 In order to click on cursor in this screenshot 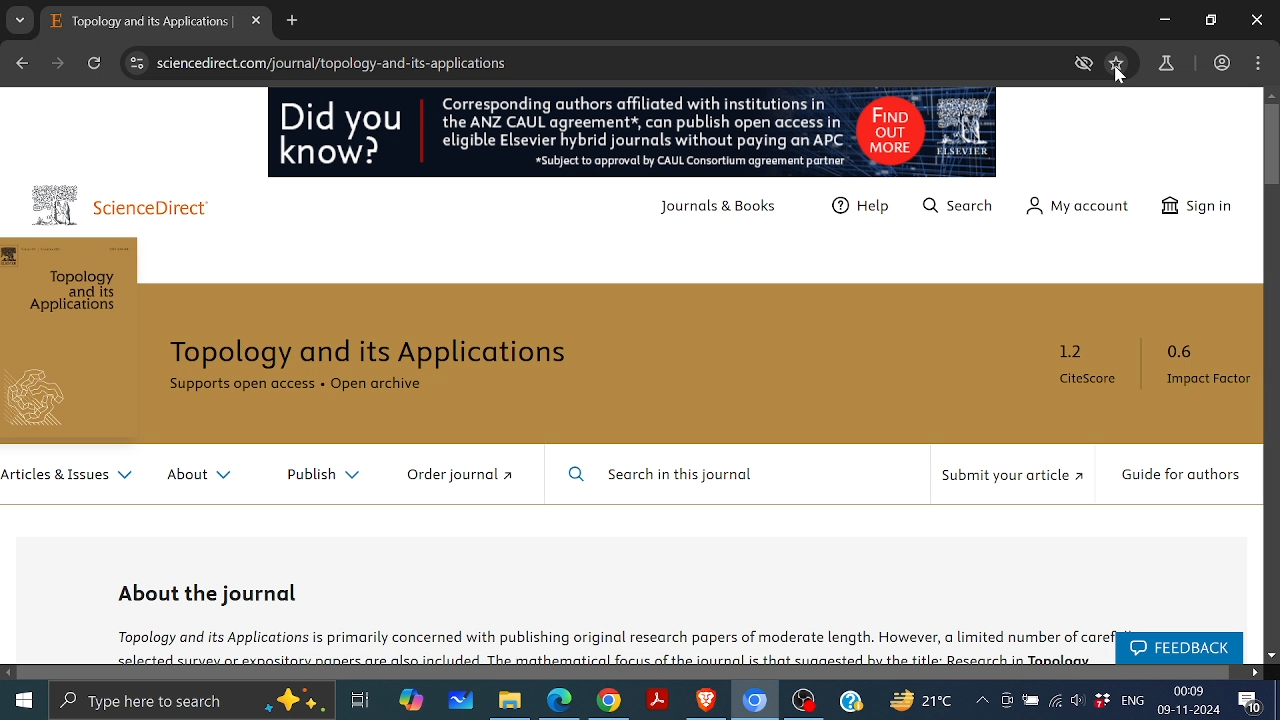, I will do `click(1121, 78)`.